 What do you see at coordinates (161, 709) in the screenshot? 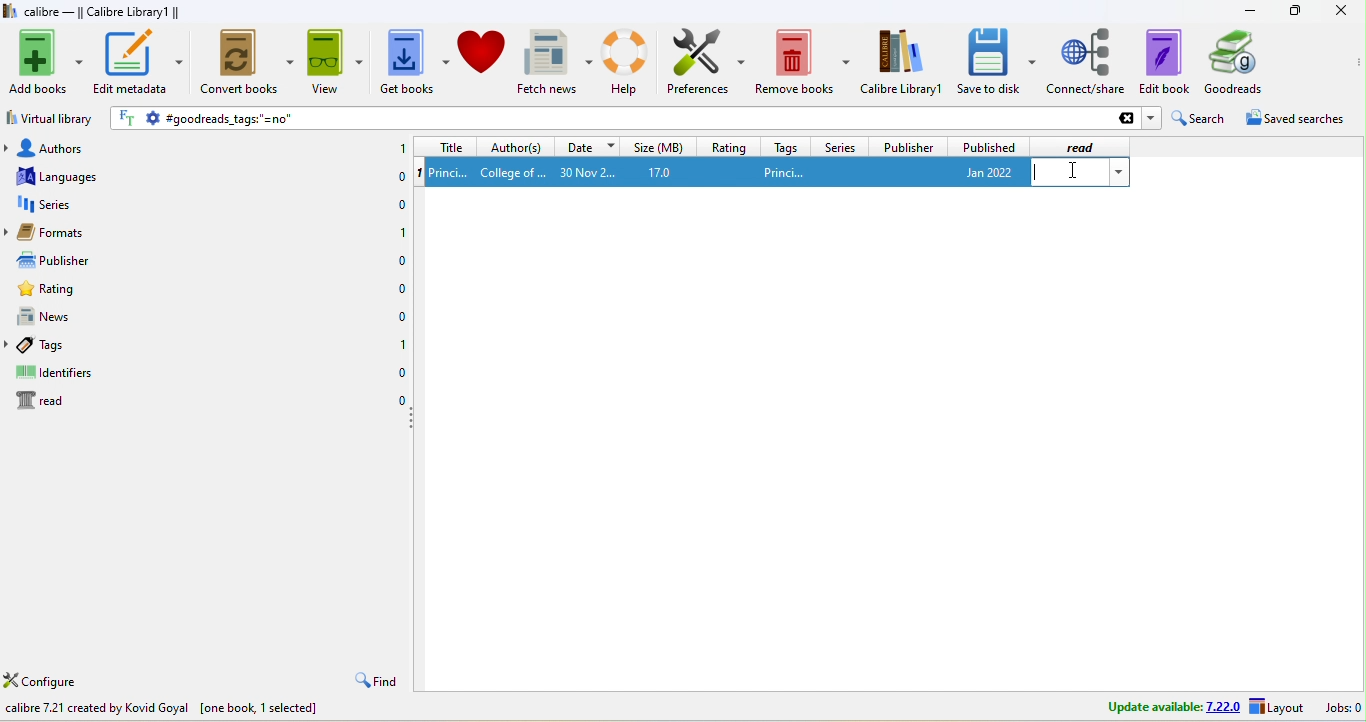
I see `calibre 7.21 created by Kovid Goyal [one book, 1 selected]` at bounding box center [161, 709].